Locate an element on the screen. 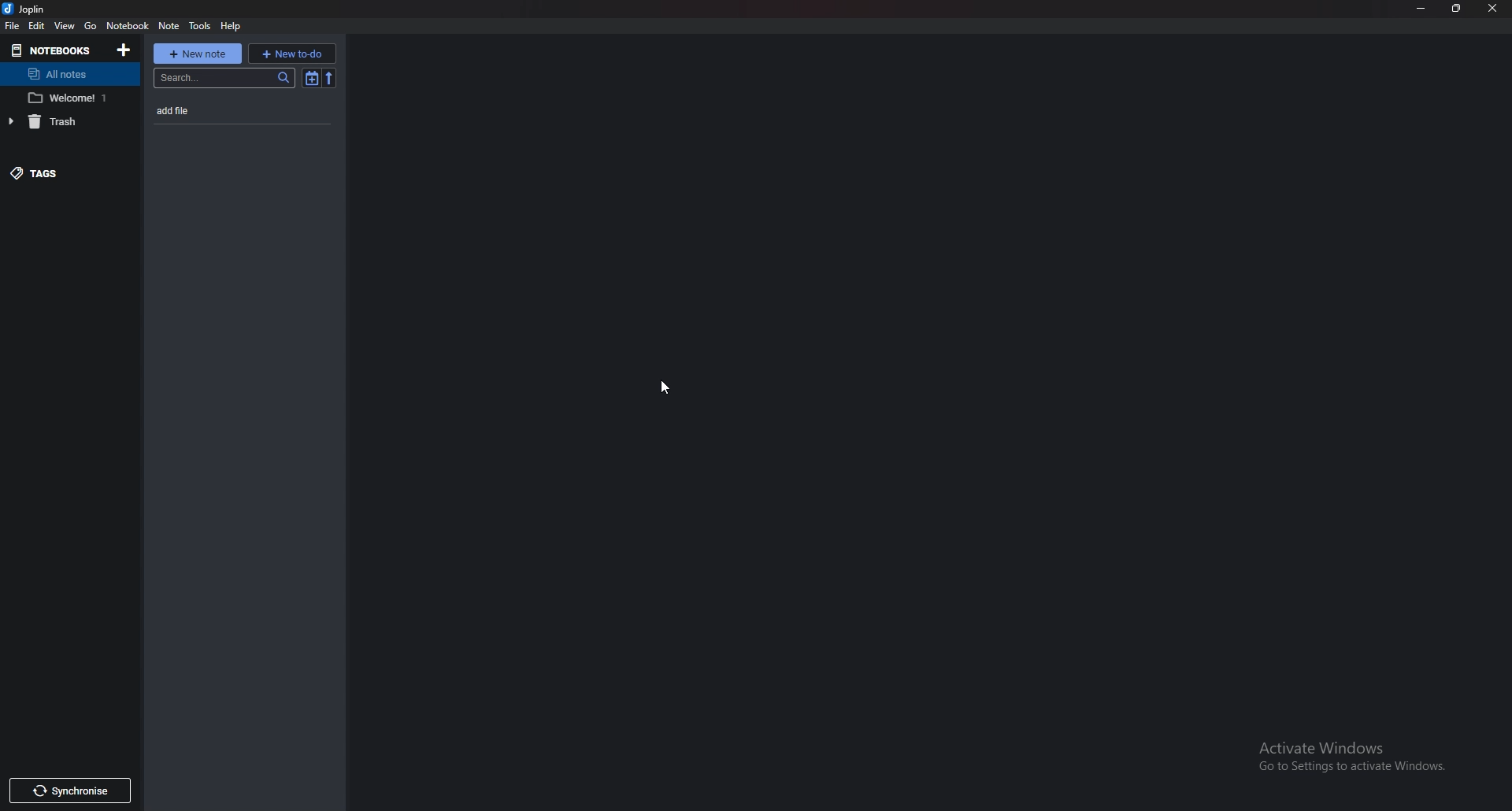 This screenshot has height=811, width=1512. note is located at coordinates (169, 27).